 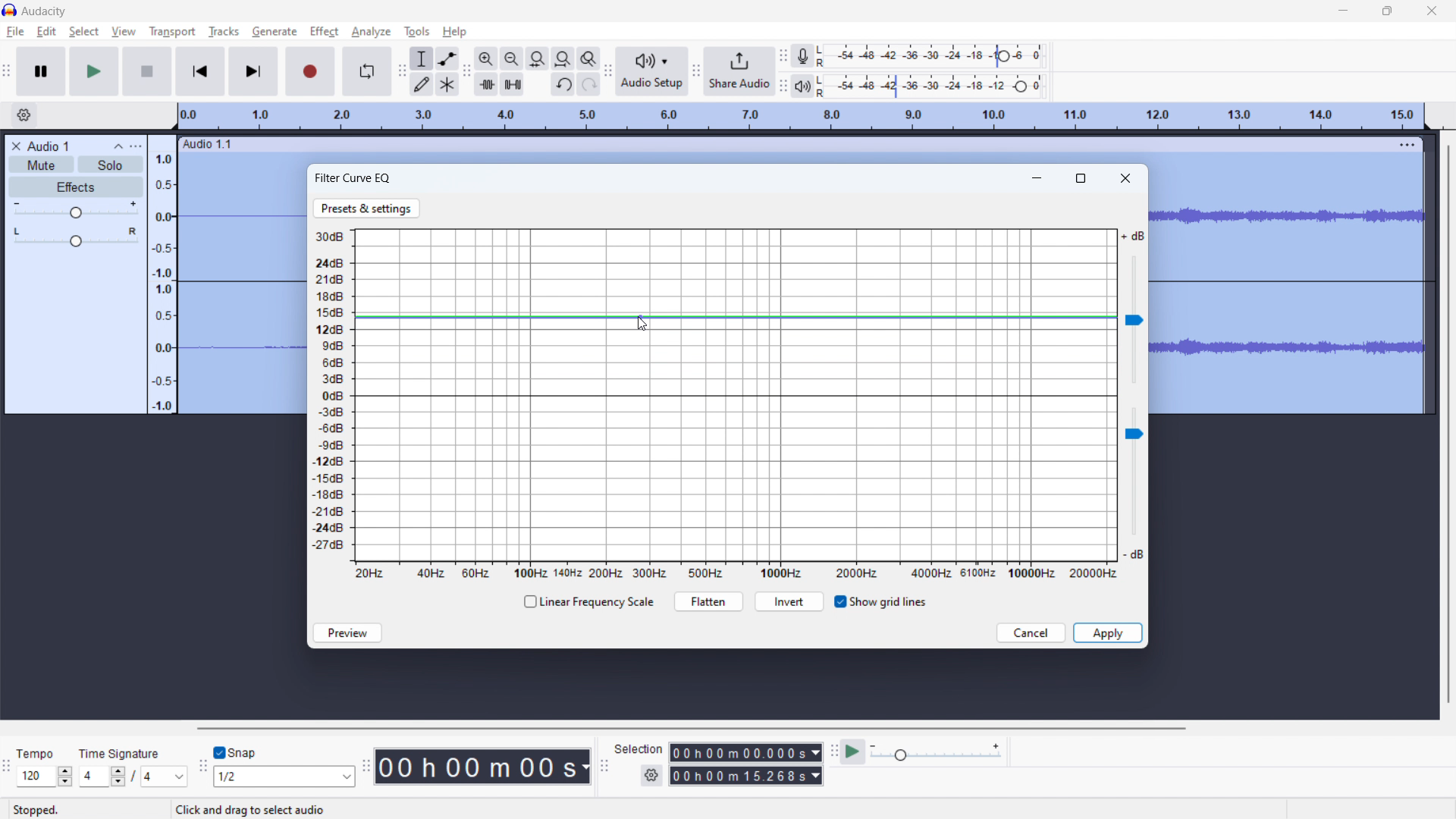 I want to click on stop, so click(x=148, y=71).